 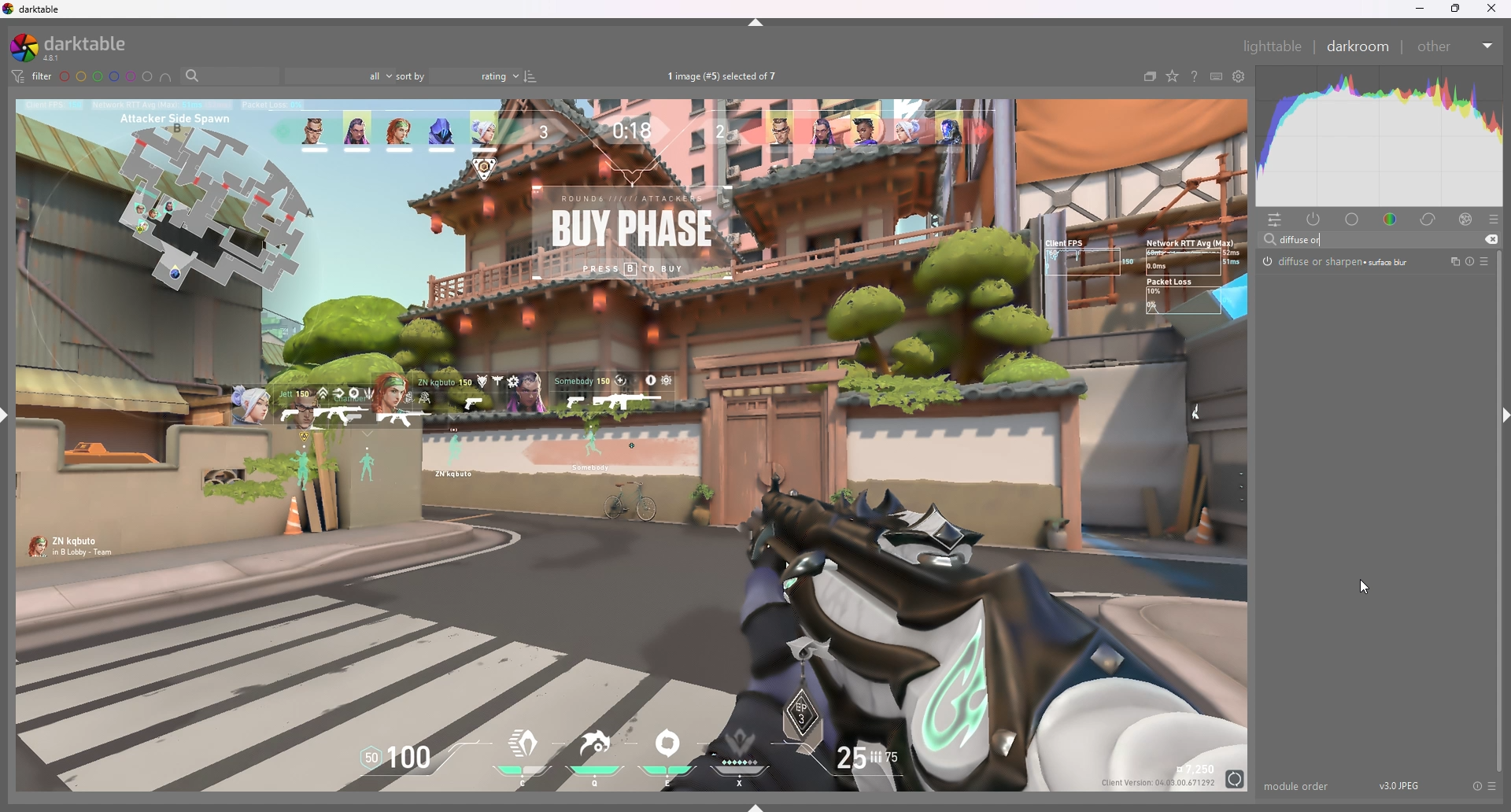 What do you see at coordinates (1305, 239) in the screenshot?
I see `input` at bounding box center [1305, 239].